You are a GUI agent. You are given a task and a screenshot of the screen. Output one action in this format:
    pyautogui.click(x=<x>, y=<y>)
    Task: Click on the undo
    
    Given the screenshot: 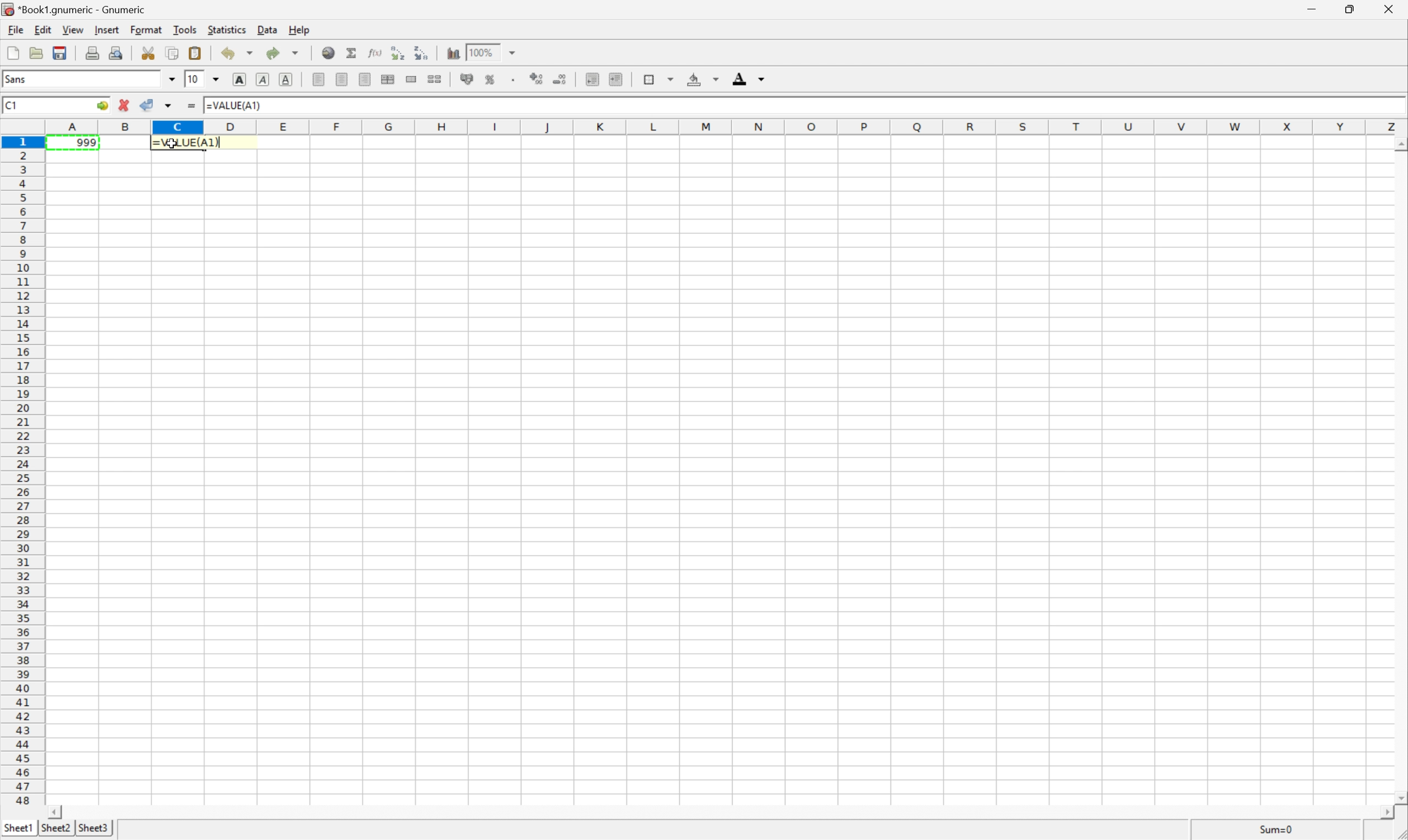 What is the action you would take?
    pyautogui.click(x=239, y=53)
    